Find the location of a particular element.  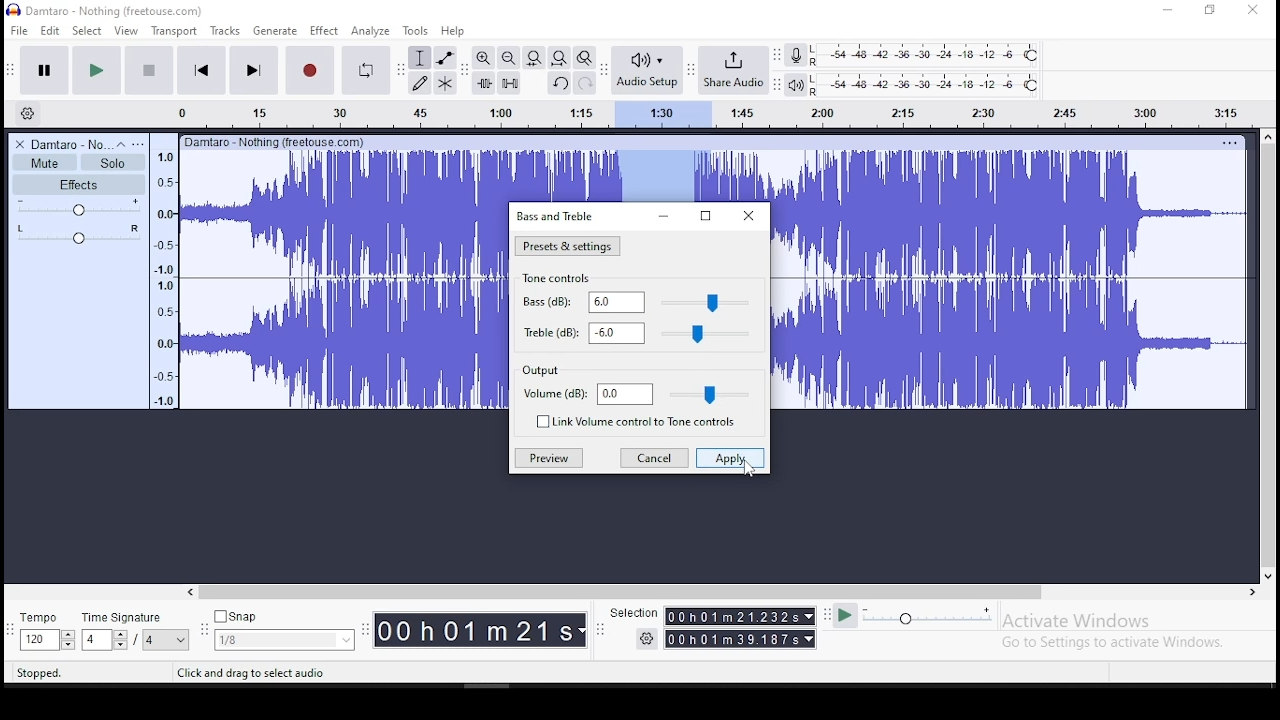

pan is located at coordinates (79, 234).